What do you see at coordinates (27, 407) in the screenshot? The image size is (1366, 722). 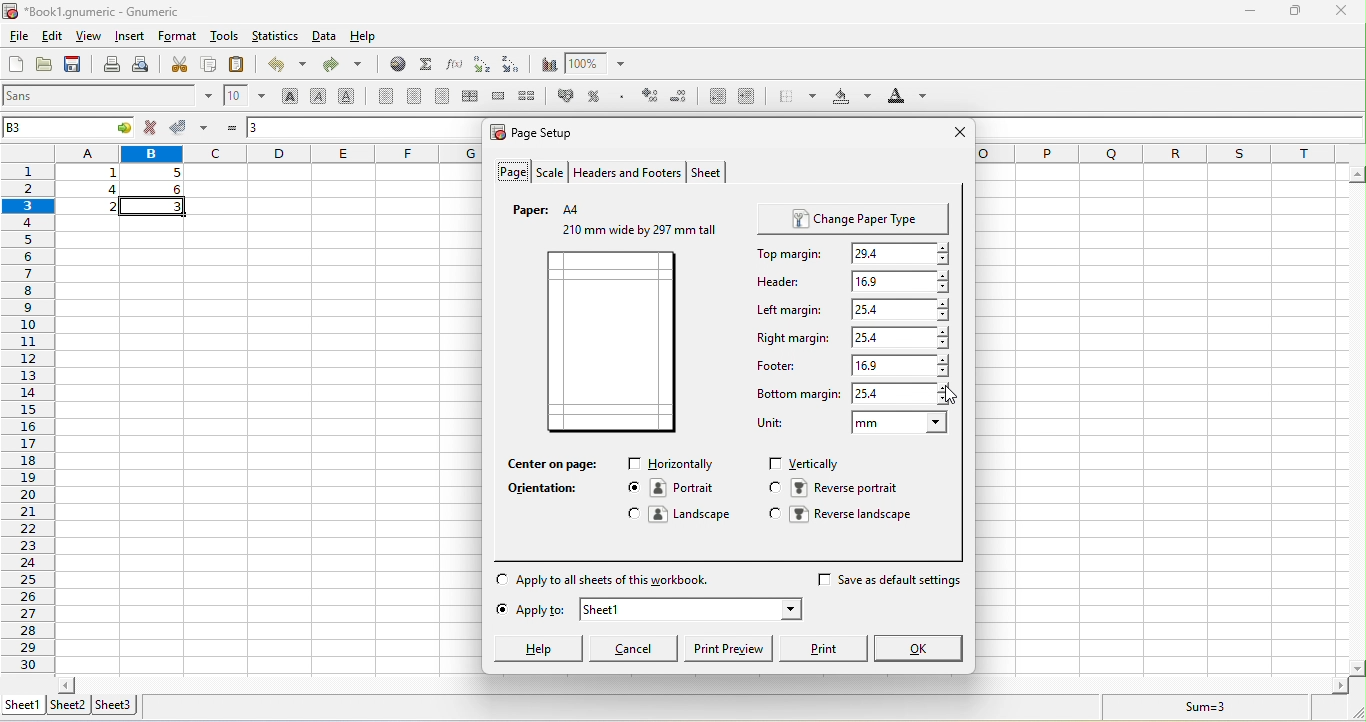 I see `rows` at bounding box center [27, 407].